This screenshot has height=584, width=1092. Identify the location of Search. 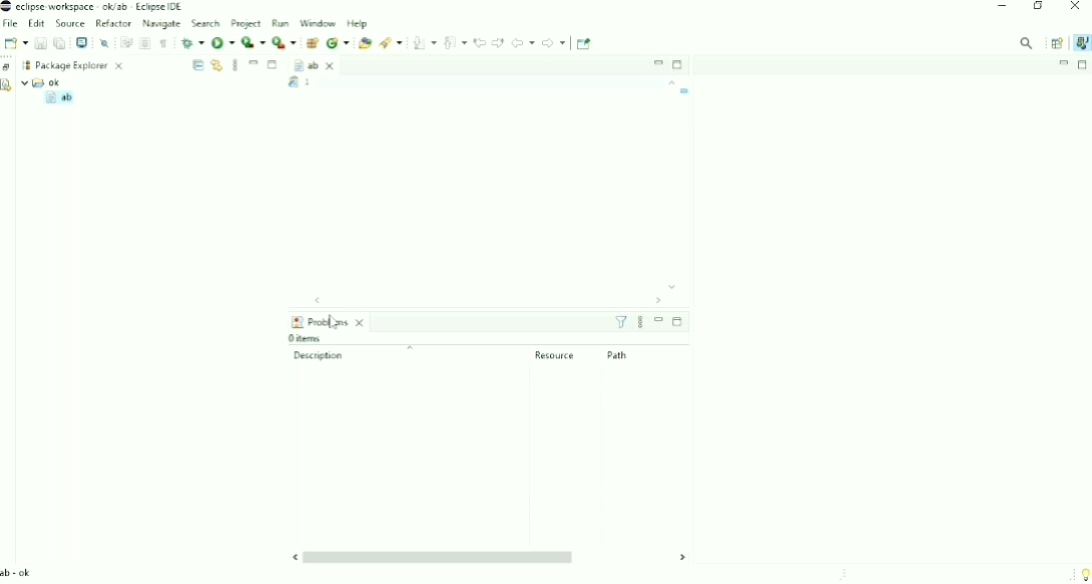
(390, 42).